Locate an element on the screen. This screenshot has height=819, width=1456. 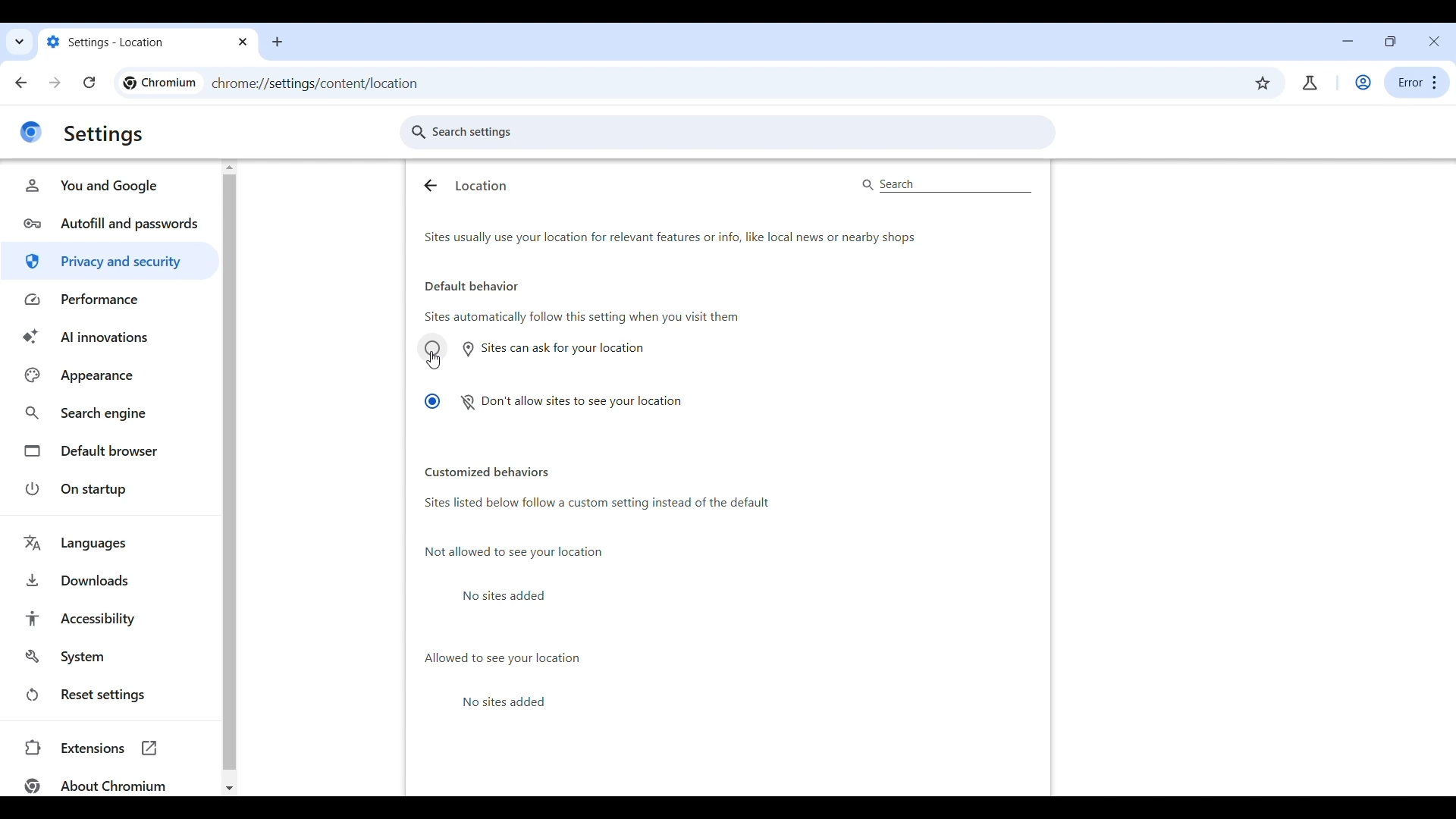
Settings  is located at coordinates (105, 135).